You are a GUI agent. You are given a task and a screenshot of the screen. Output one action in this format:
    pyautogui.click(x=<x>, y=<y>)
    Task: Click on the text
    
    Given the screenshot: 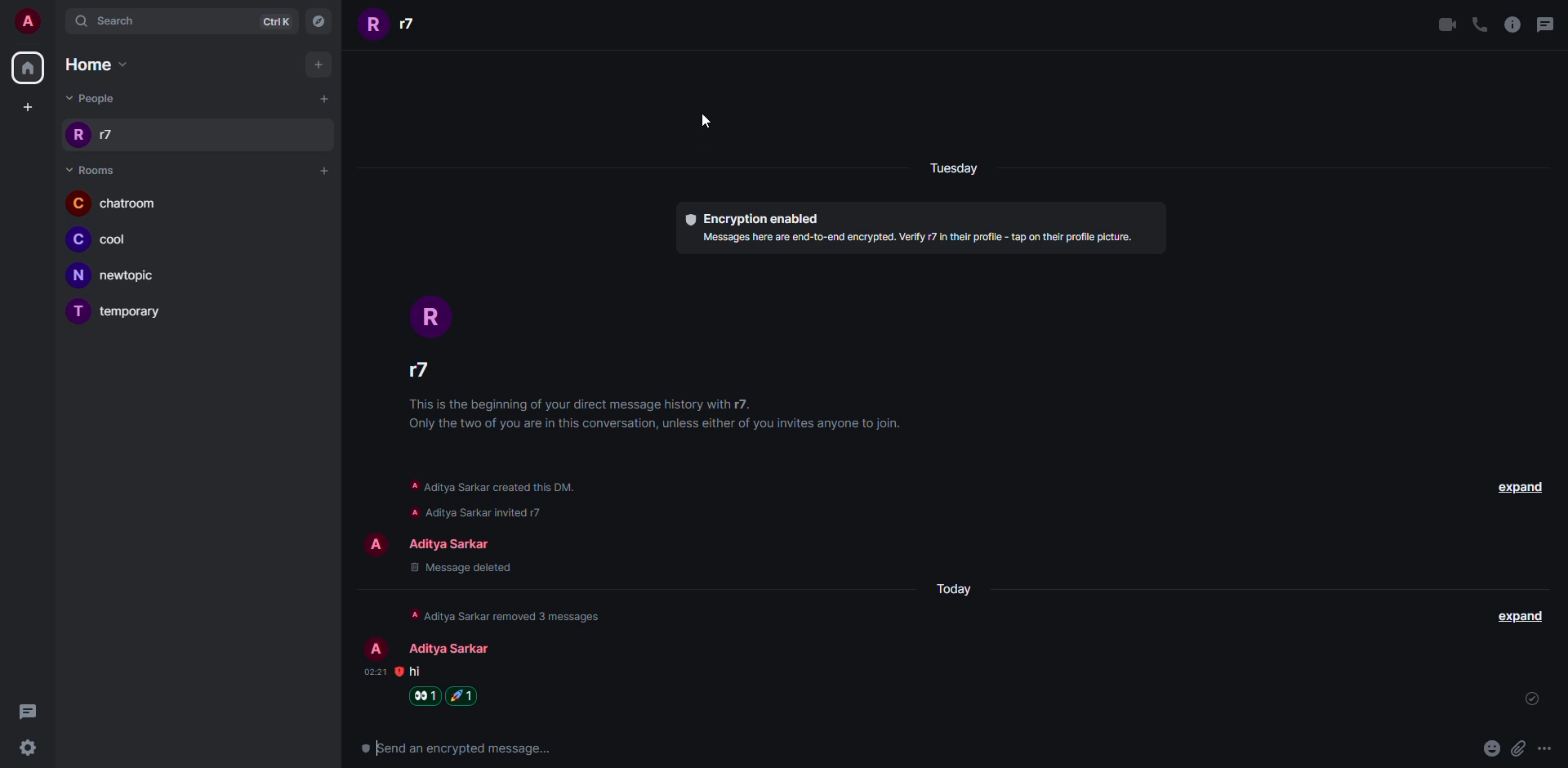 What is the action you would take?
    pyautogui.click(x=454, y=748)
    